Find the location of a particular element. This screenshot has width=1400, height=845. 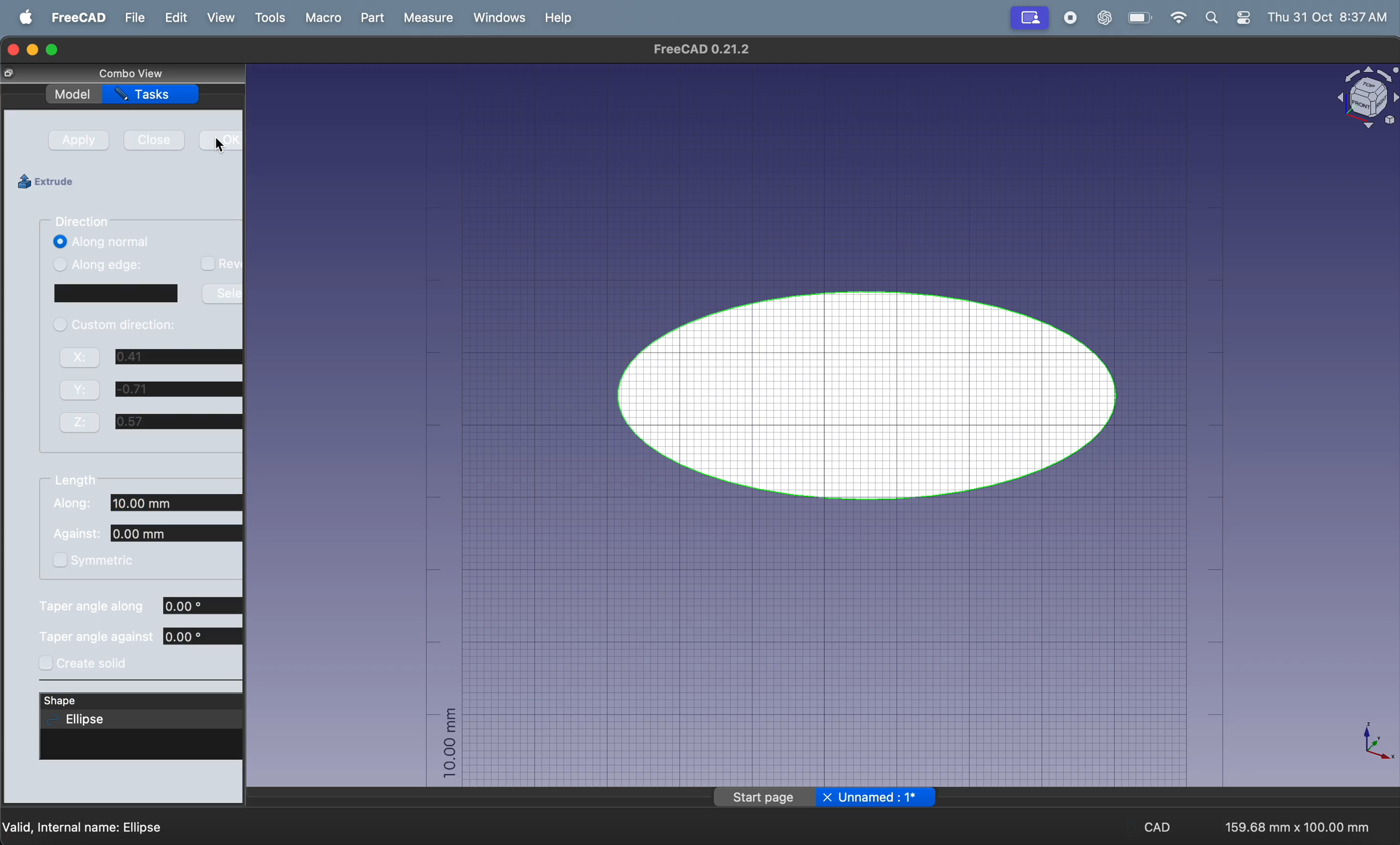

tools is located at coordinates (266, 18).